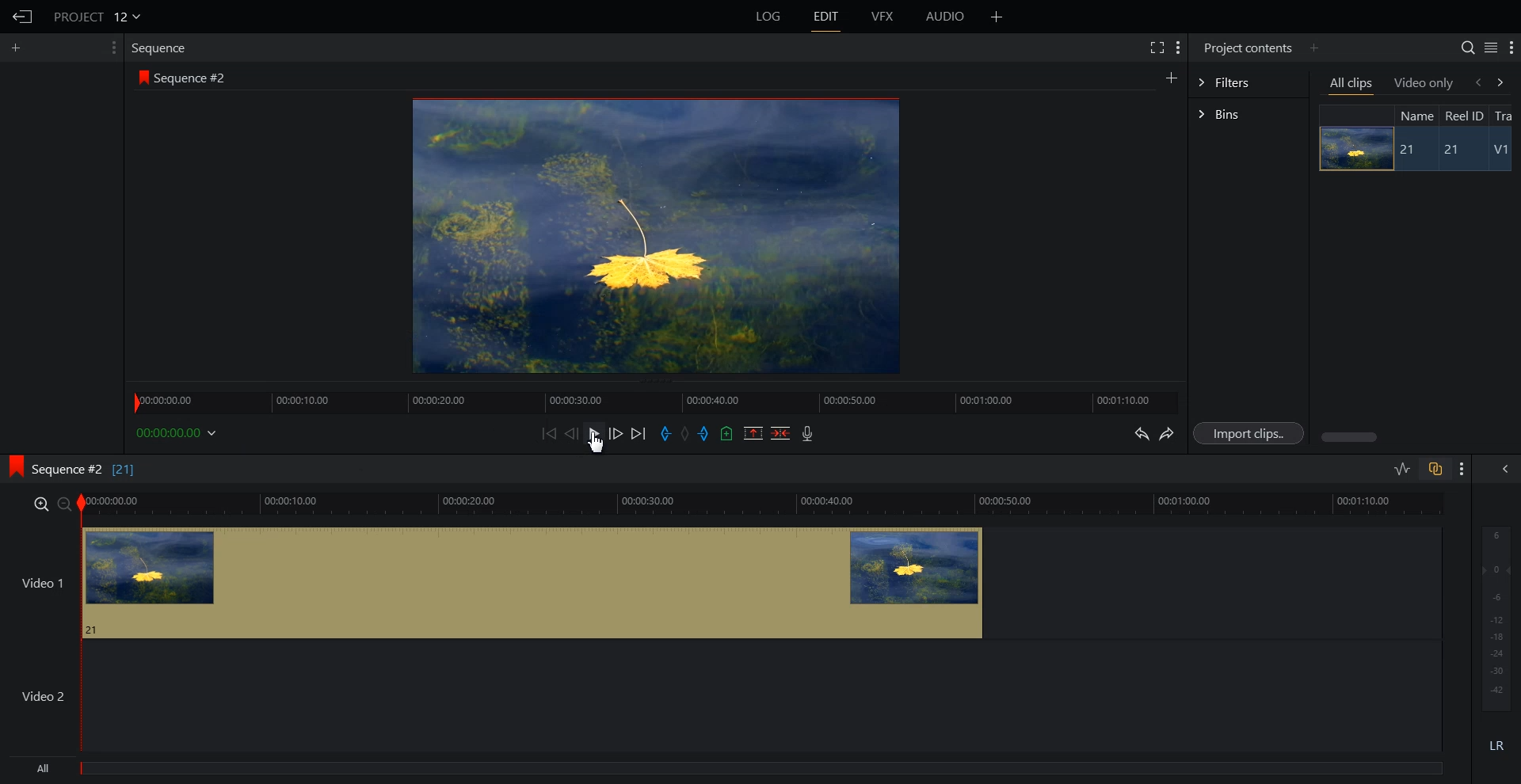 This screenshot has width=1521, height=784. Describe the element at coordinates (23, 17) in the screenshot. I see `Go Back` at that location.